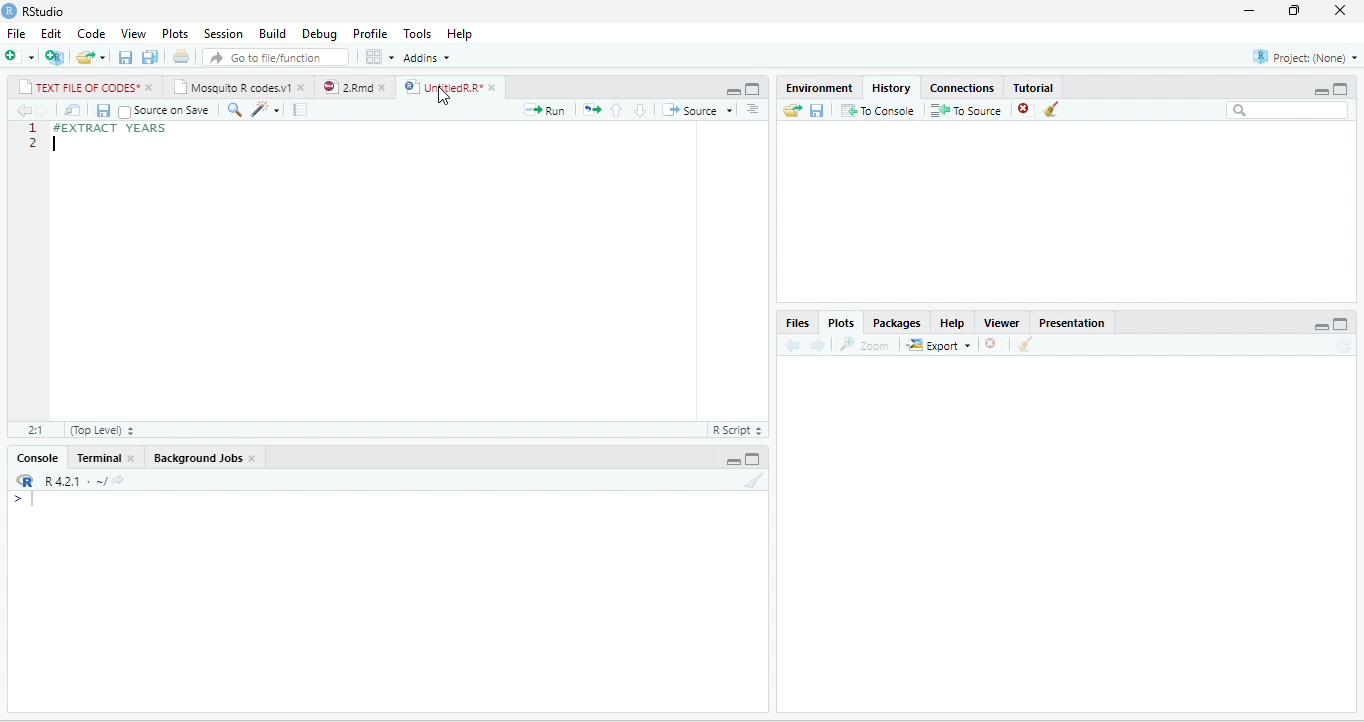  What do you see at coordinates (733, 91) in the screenshot?
I see `minimize` at bounding box center [733, 91].